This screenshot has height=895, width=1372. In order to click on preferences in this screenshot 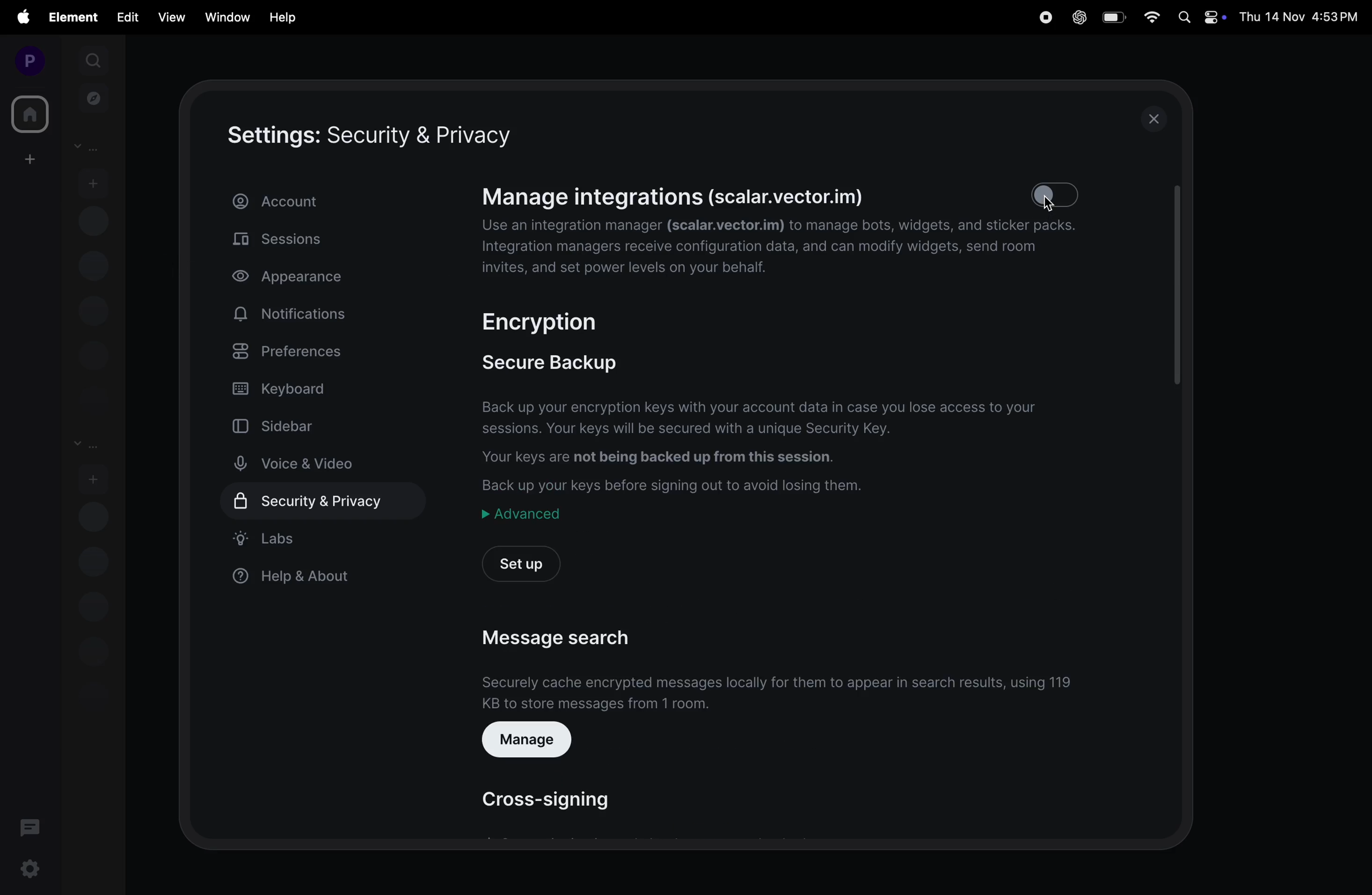, I will do `click(283, 354)`.